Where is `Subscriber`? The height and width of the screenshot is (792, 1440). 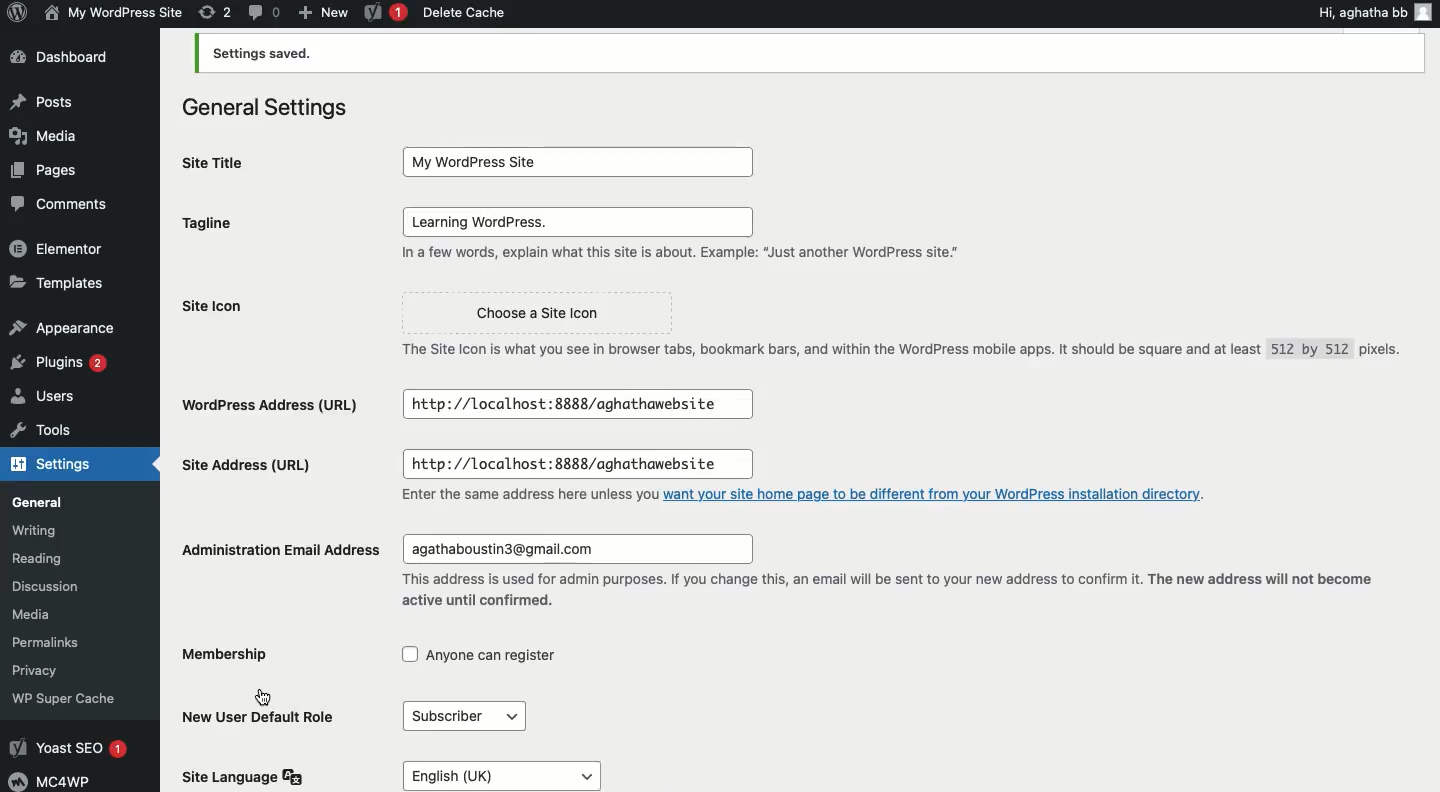
Subscriber is located at coordinates (475, 717).